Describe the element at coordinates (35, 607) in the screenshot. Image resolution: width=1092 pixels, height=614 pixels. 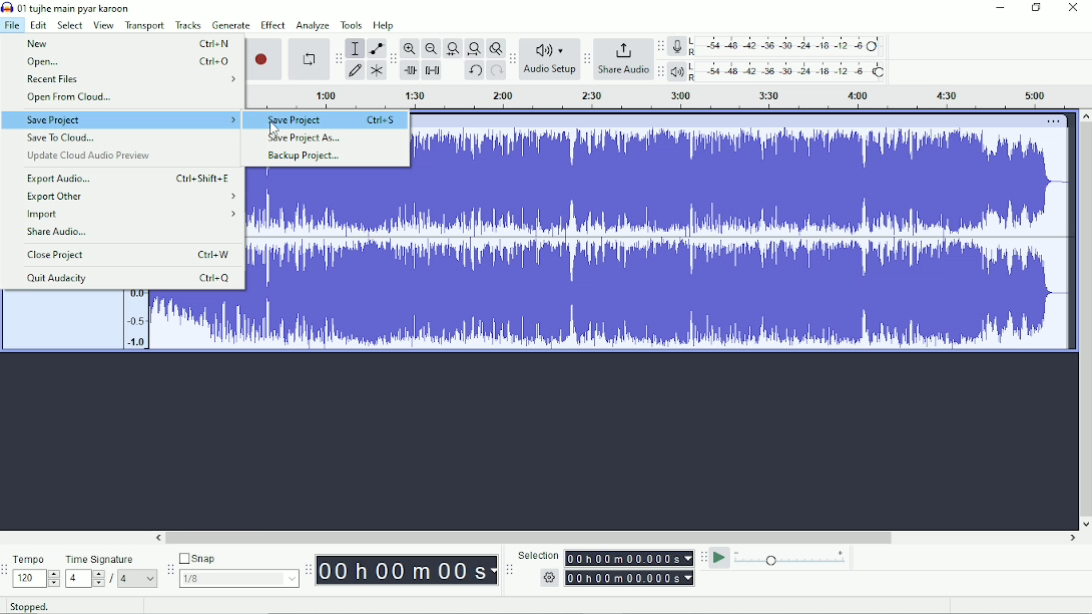
I see `Stopped` at that location.